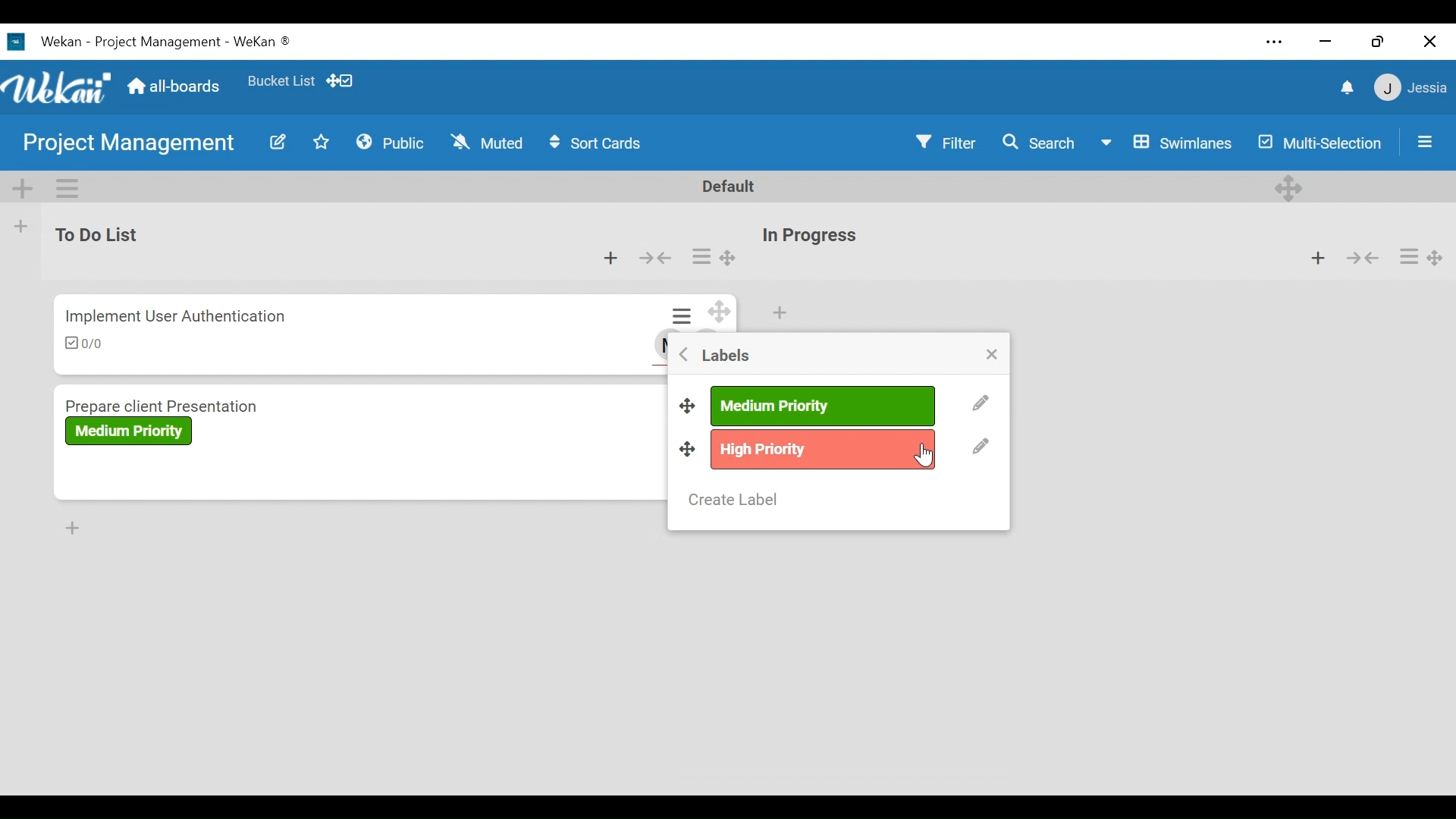 The image size is (1456, 819). Describe the element at coordinates (1323, 41) in the screenshot. I see `minimize` at that location.